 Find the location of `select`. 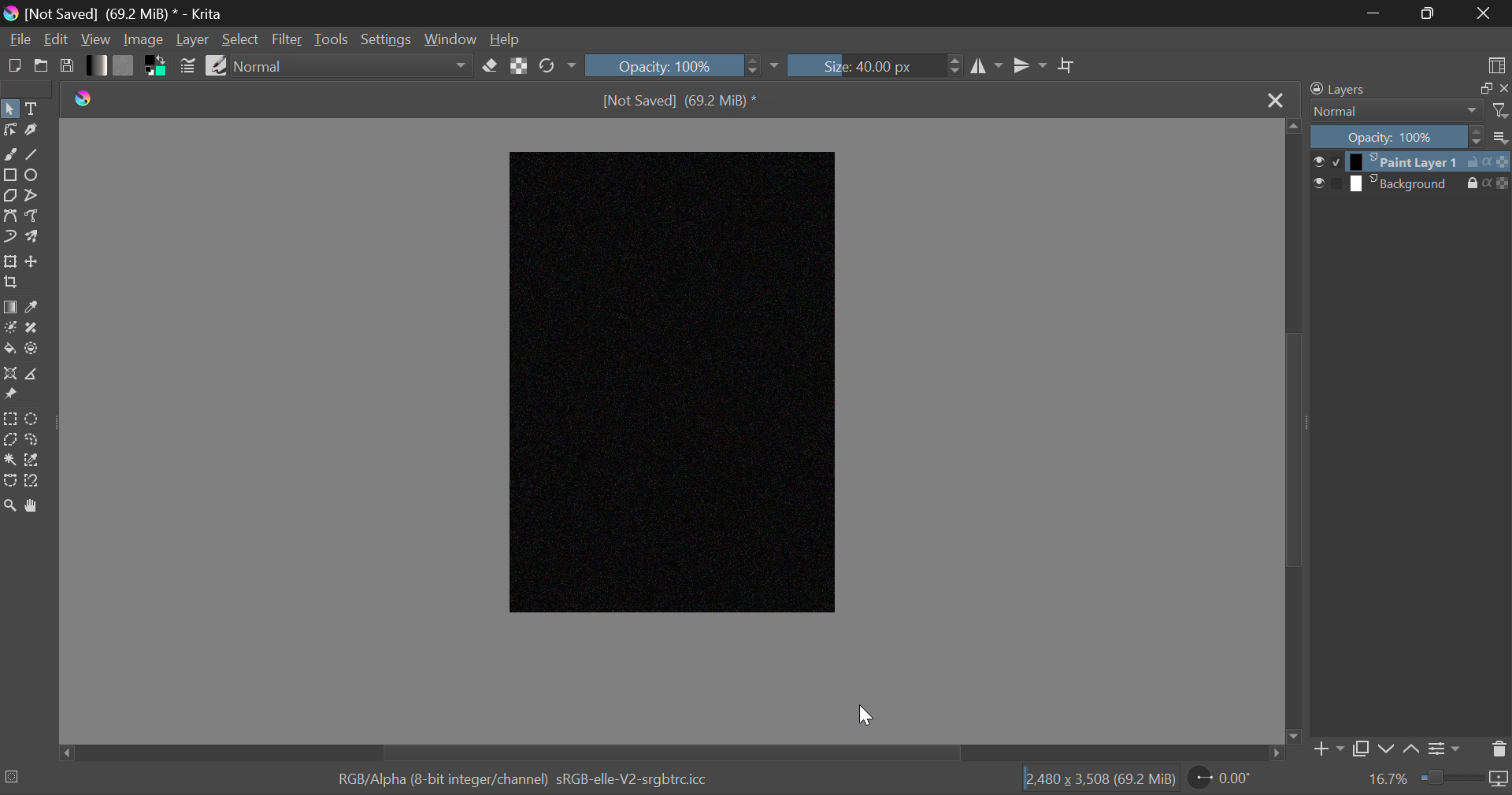

select is located at coordinates (1315, 183).